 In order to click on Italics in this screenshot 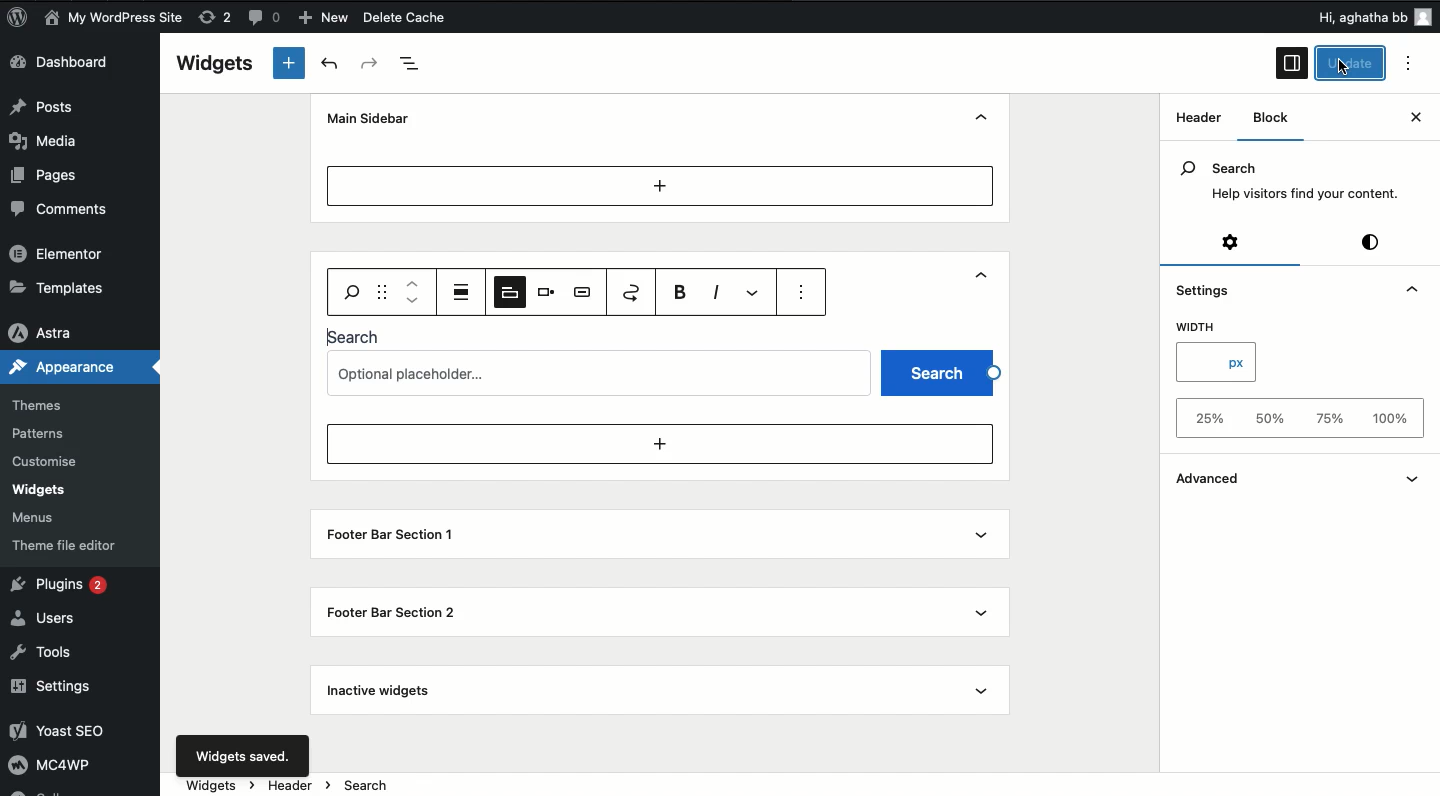, I will do `click(716, 290)`.